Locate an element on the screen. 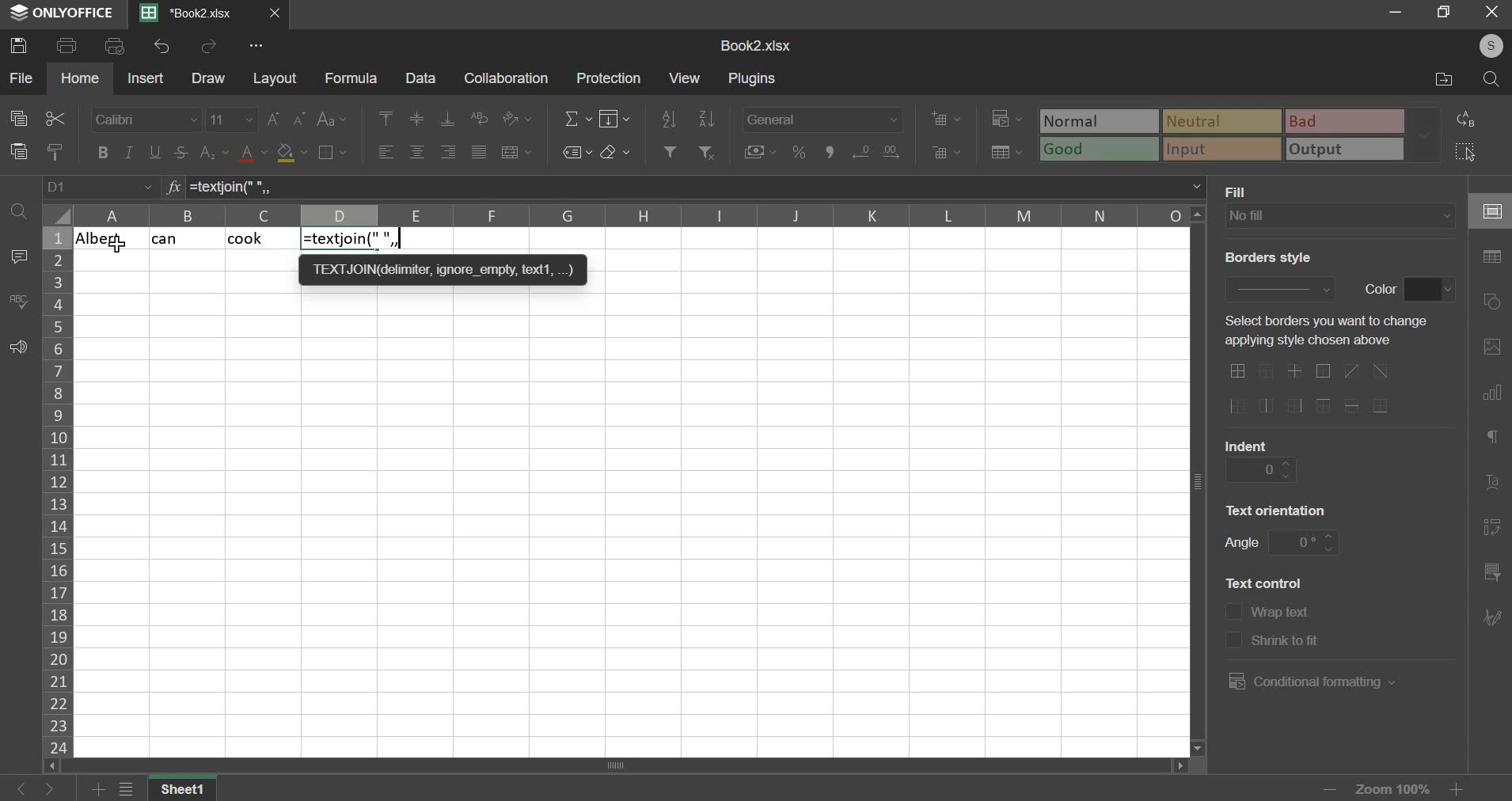  cursor is located at coordinates (119, 246).